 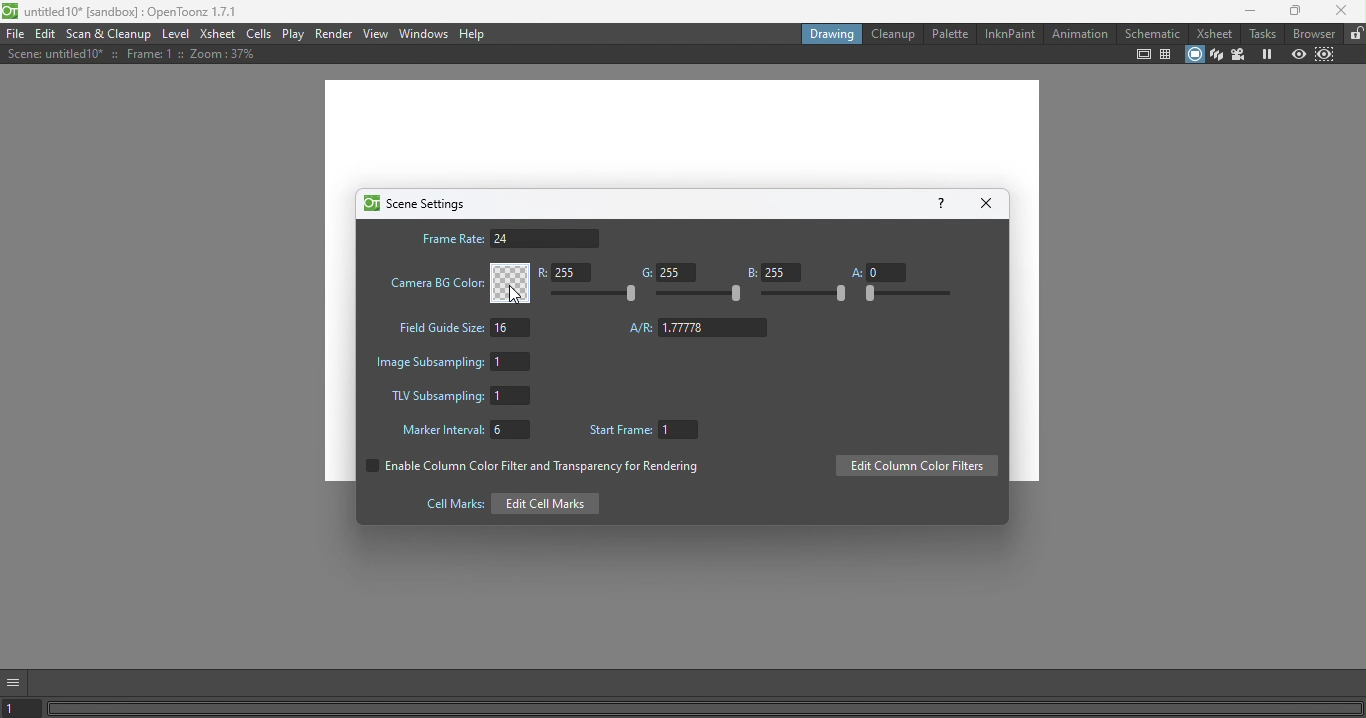 I want to click on A, so click(x=878, y=271).